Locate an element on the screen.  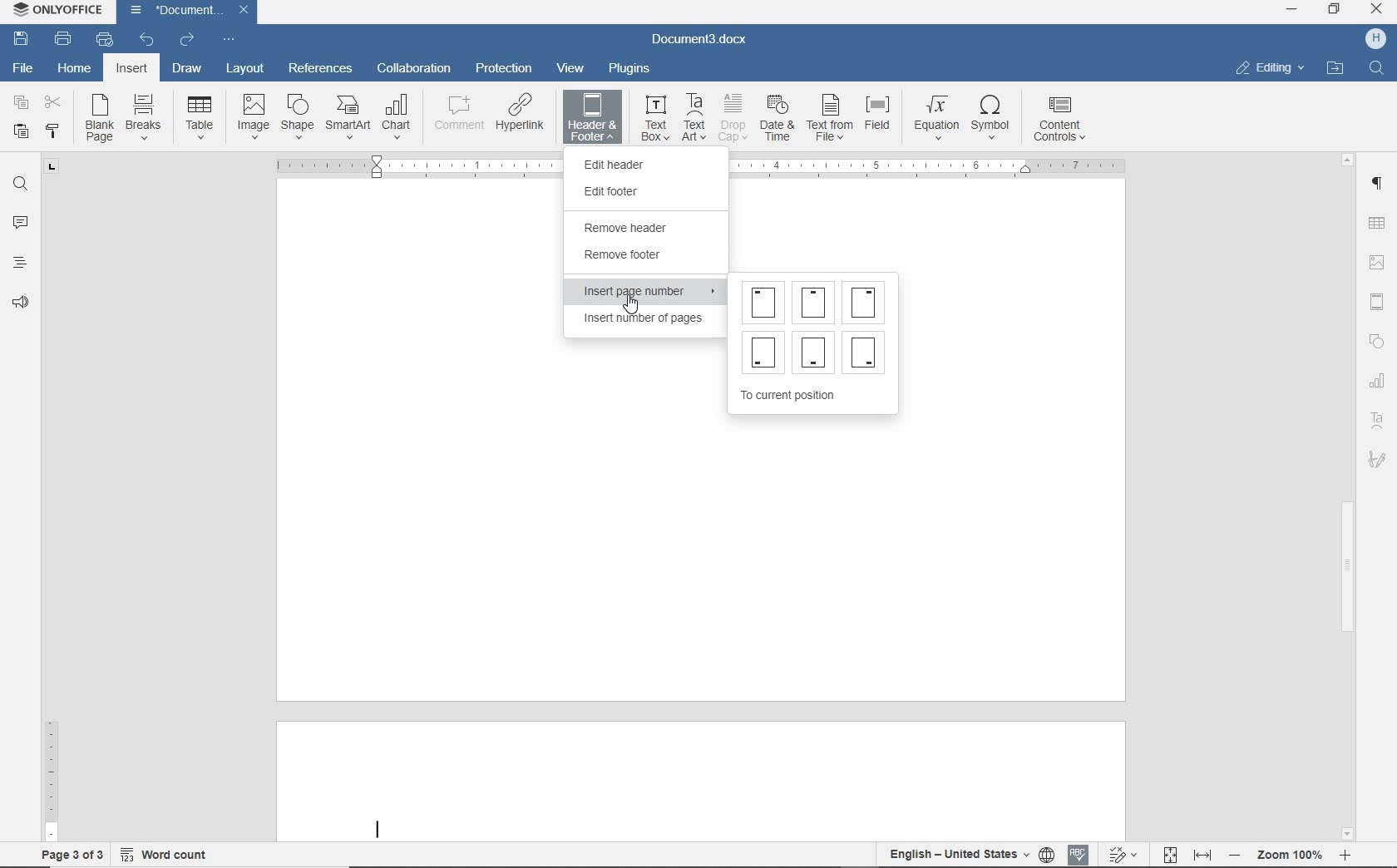
SMARTART is located at coordinates (348, 119).